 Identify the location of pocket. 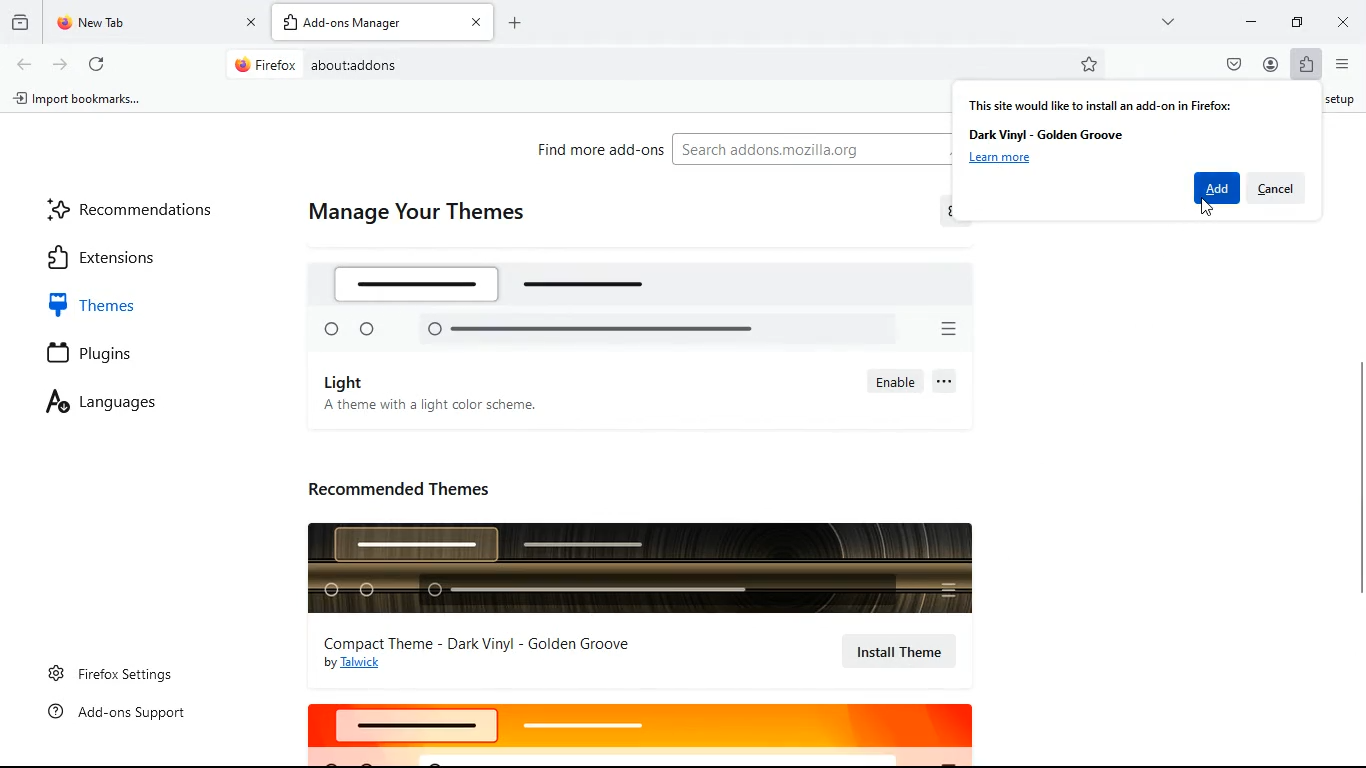
(1236, 67).